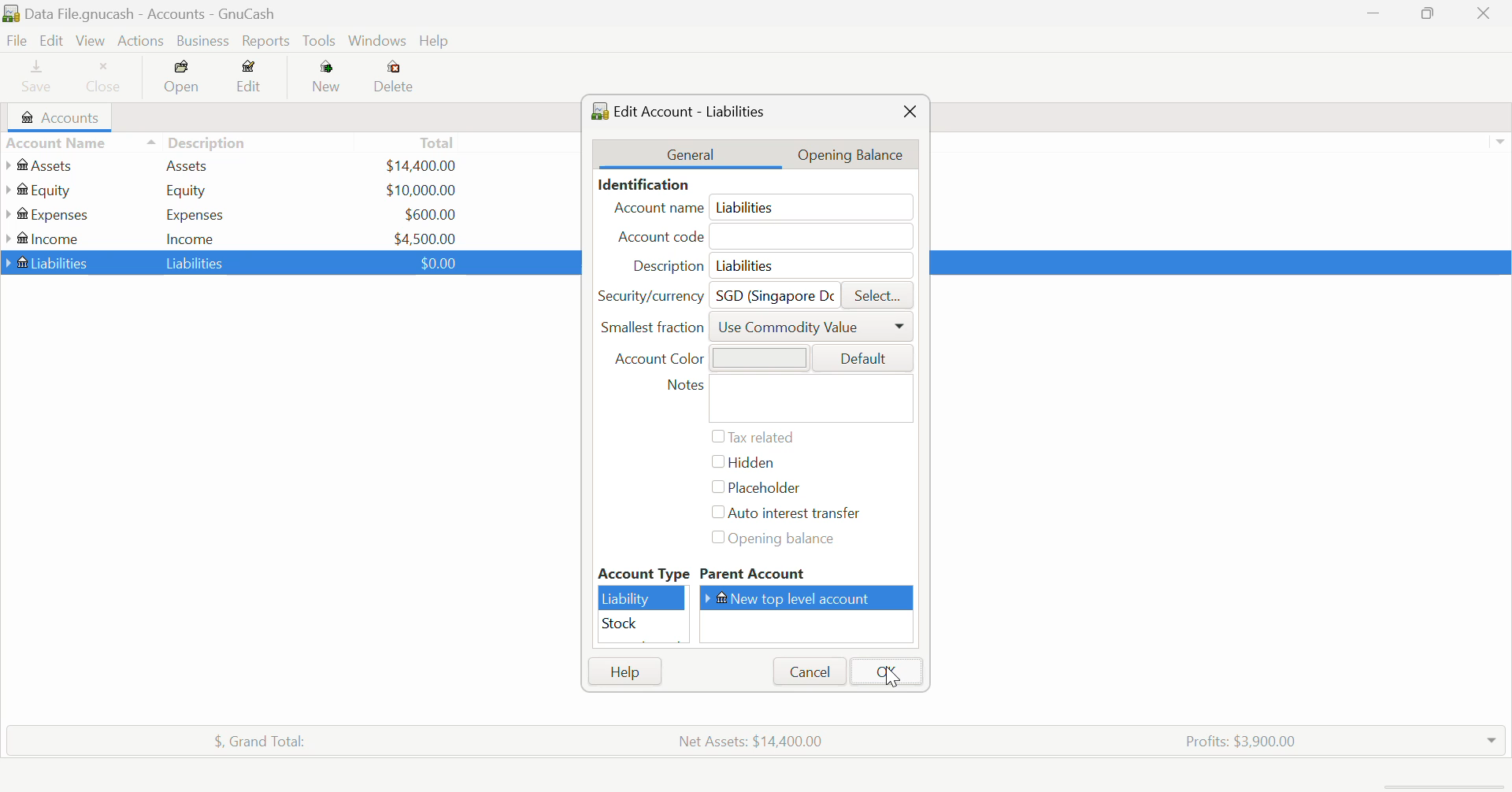 The width and height of the screenshot is (1512, 792). Describe the element at coordinates (757, 331) in the screenshot. I see `Smallest fraction: Use Commodity Value` at that location.